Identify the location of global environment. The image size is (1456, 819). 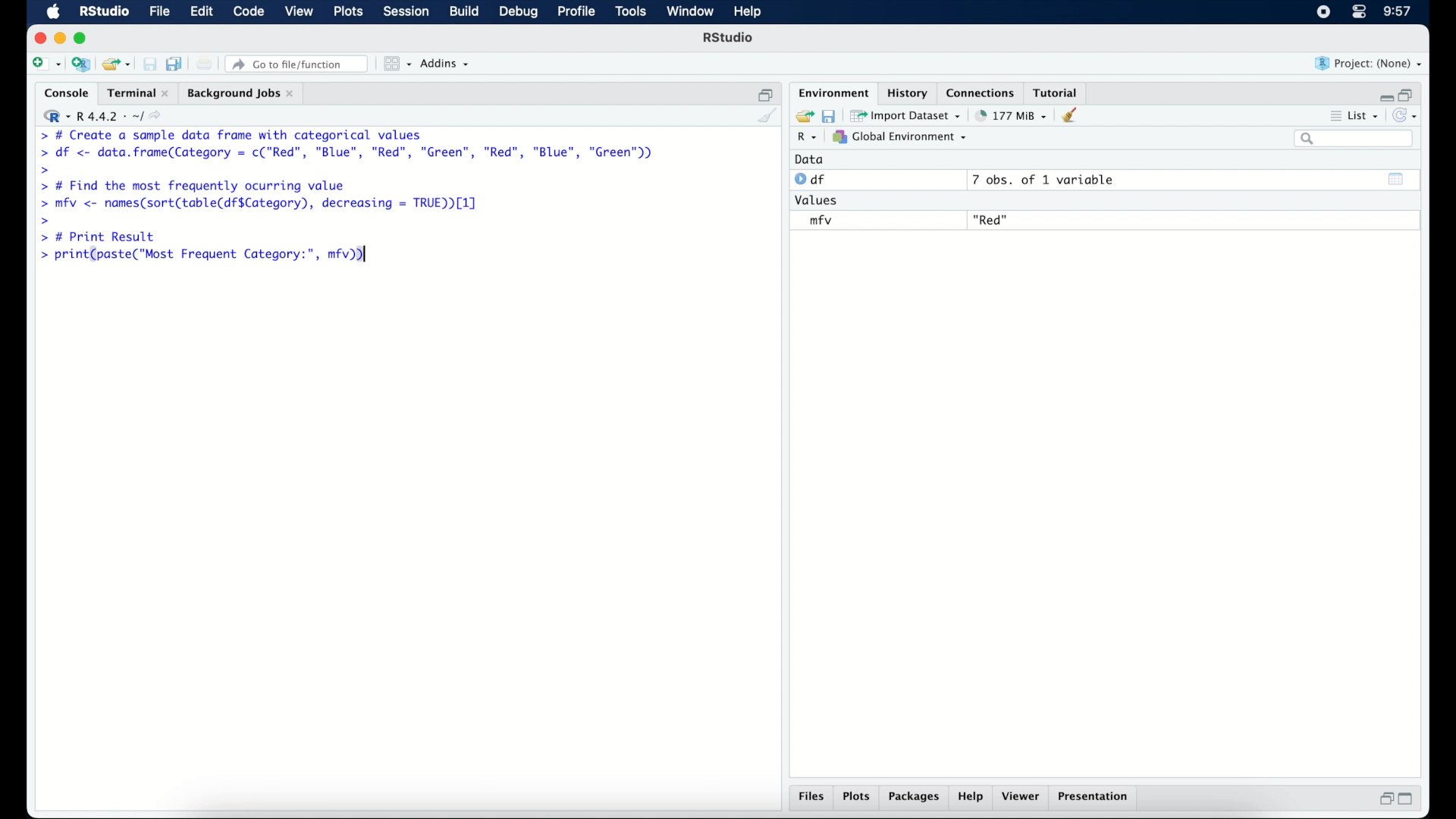
(905, 137).